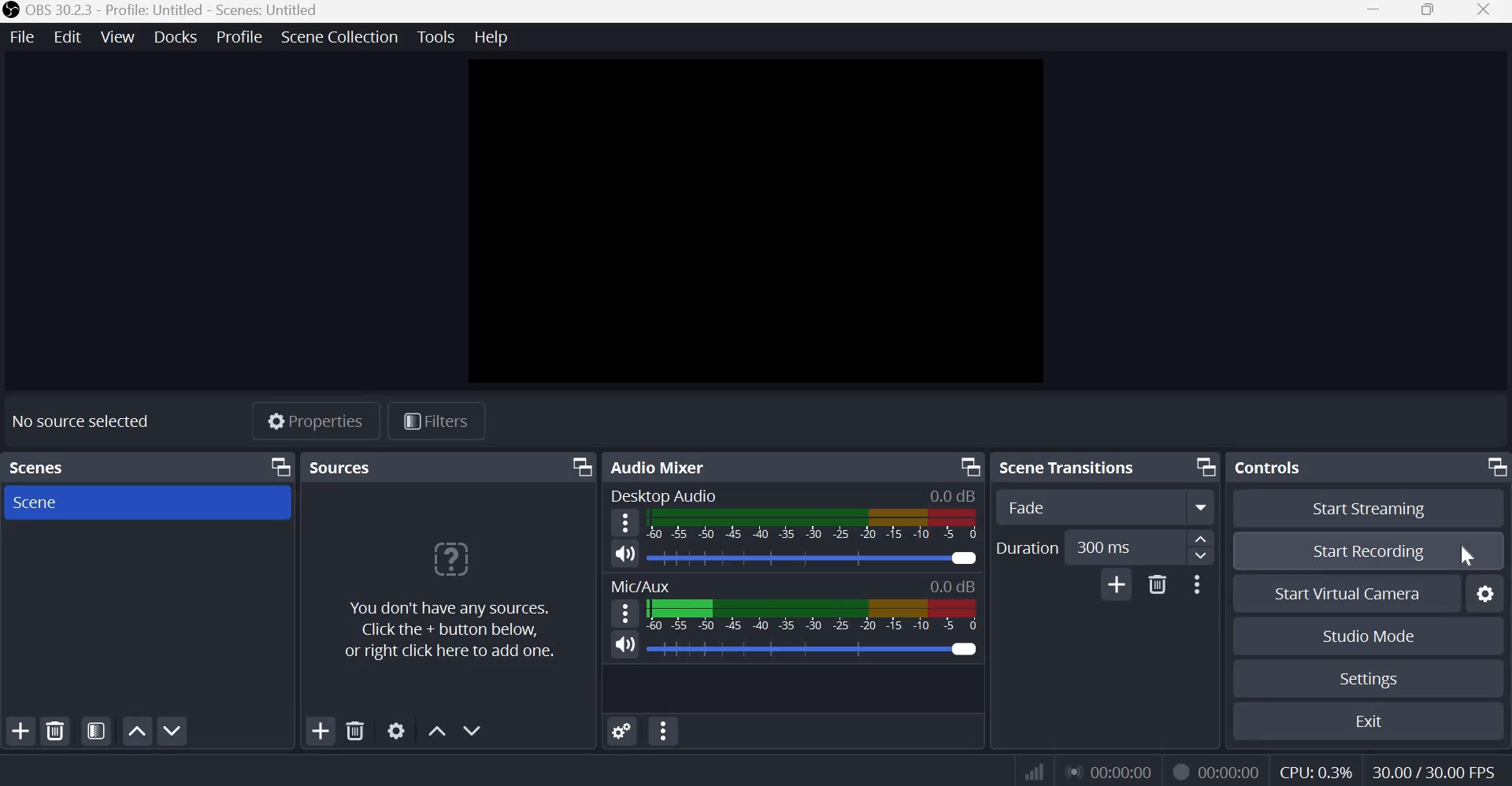  I want to click on Dock Options icon, so click(578, 468).